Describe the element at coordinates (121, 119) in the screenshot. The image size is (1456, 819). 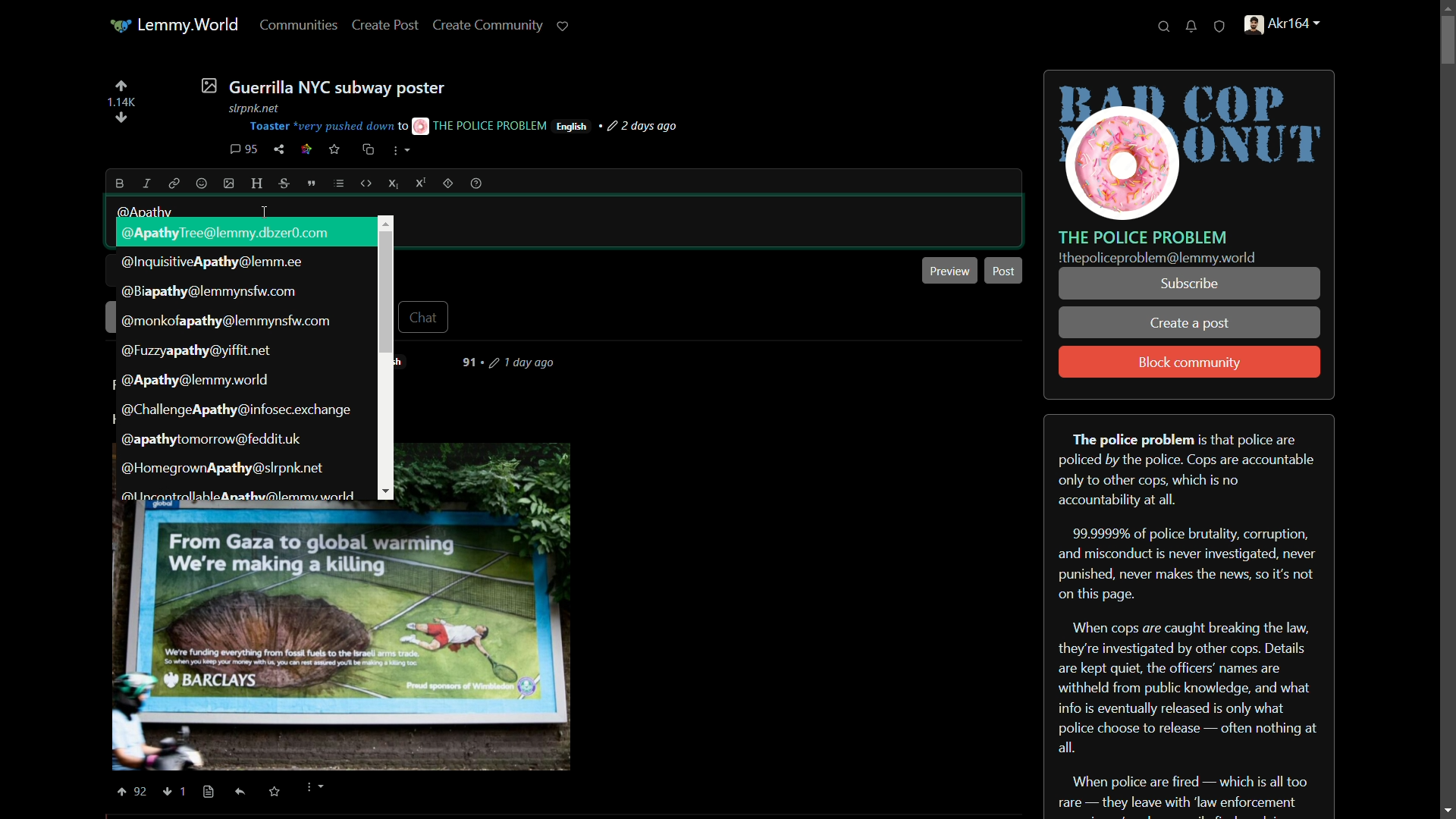
I see `diwnvote` at that location.